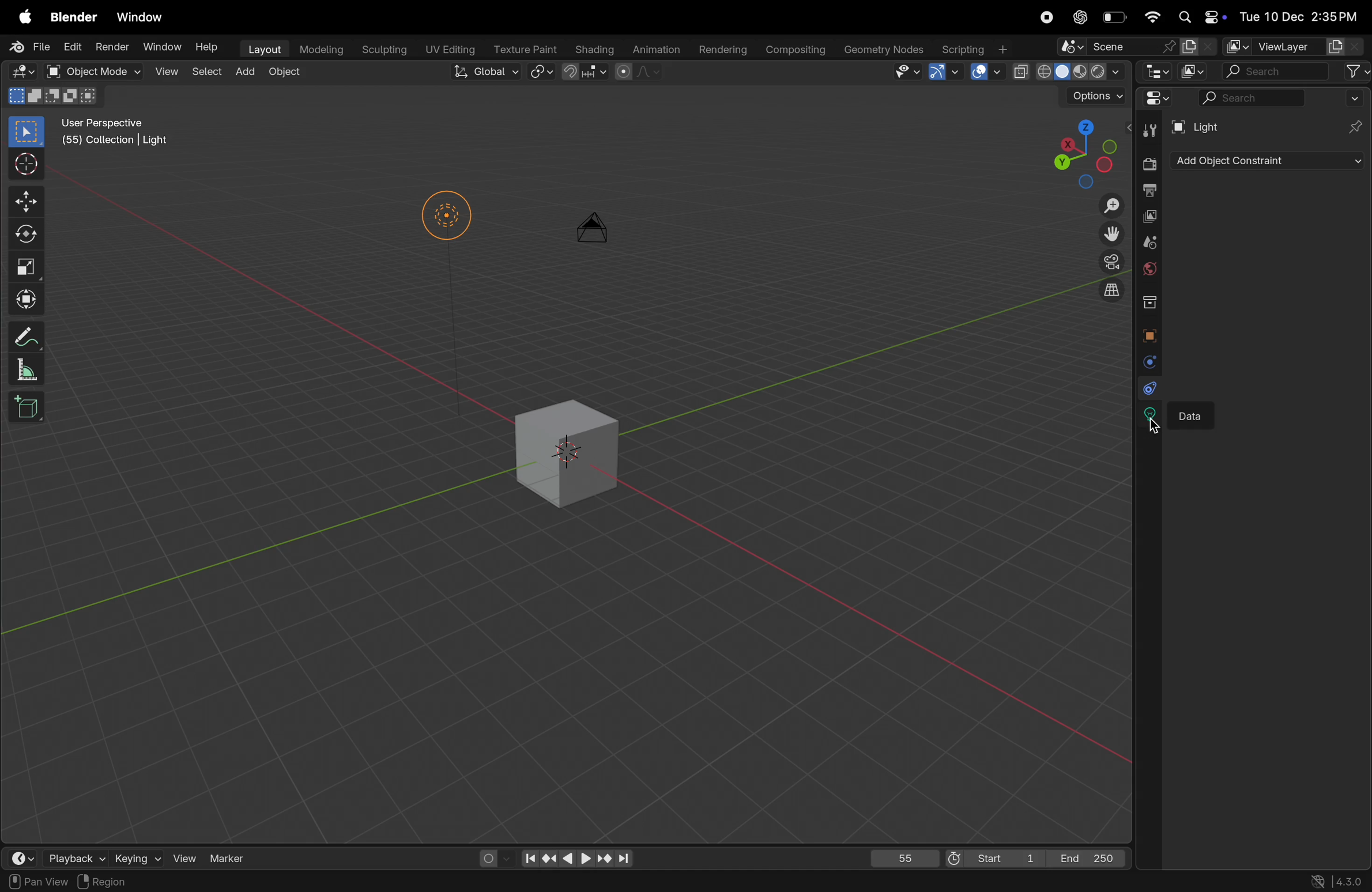 This screenshot has height=892, width=1372. What do you see at coordinates (902, 856) in the screenshot?
I see `55` at bounding box center [902, 856].